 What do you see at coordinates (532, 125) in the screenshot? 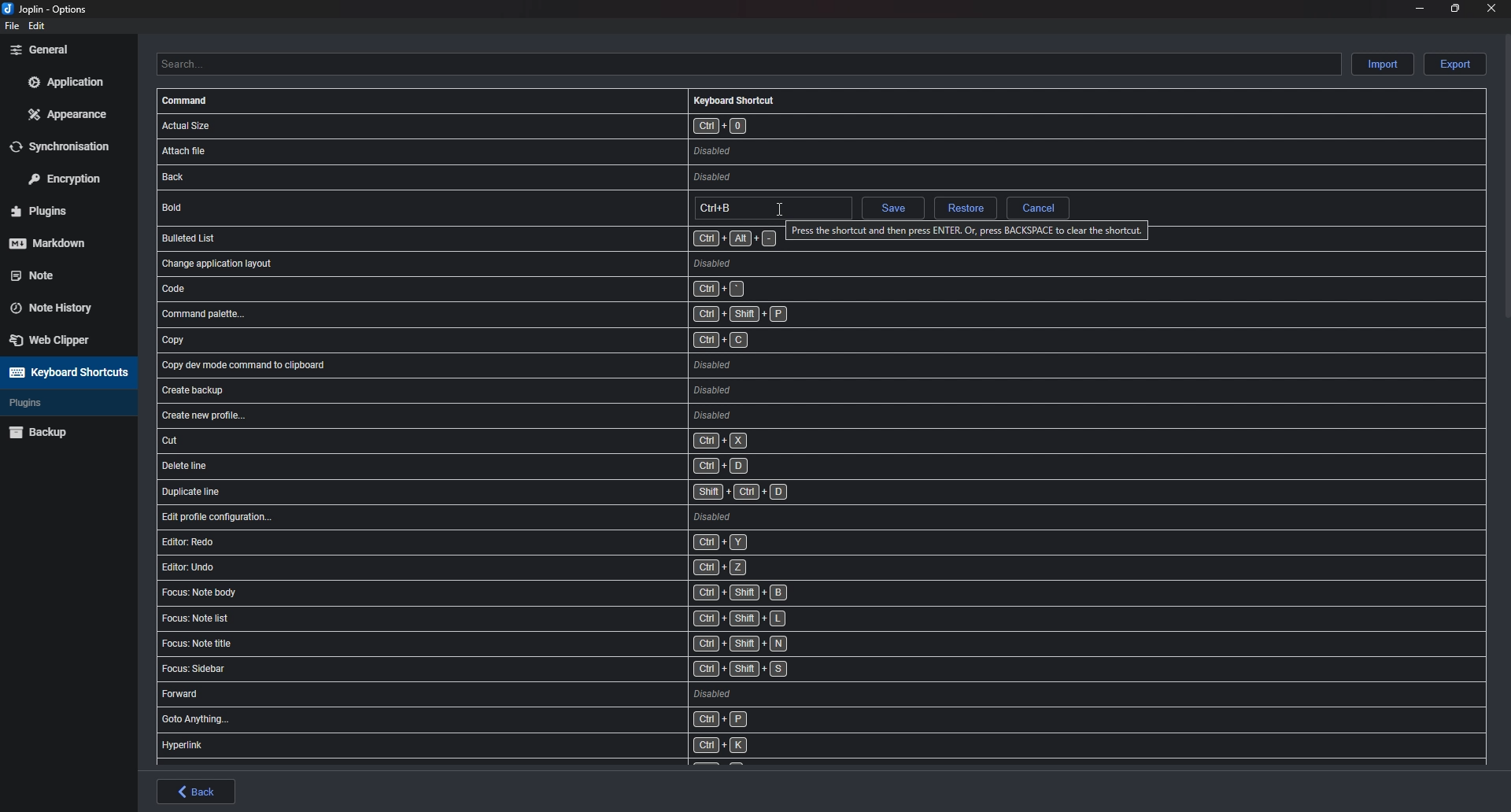
I see `shortcut` at bounding box center [532, 125].